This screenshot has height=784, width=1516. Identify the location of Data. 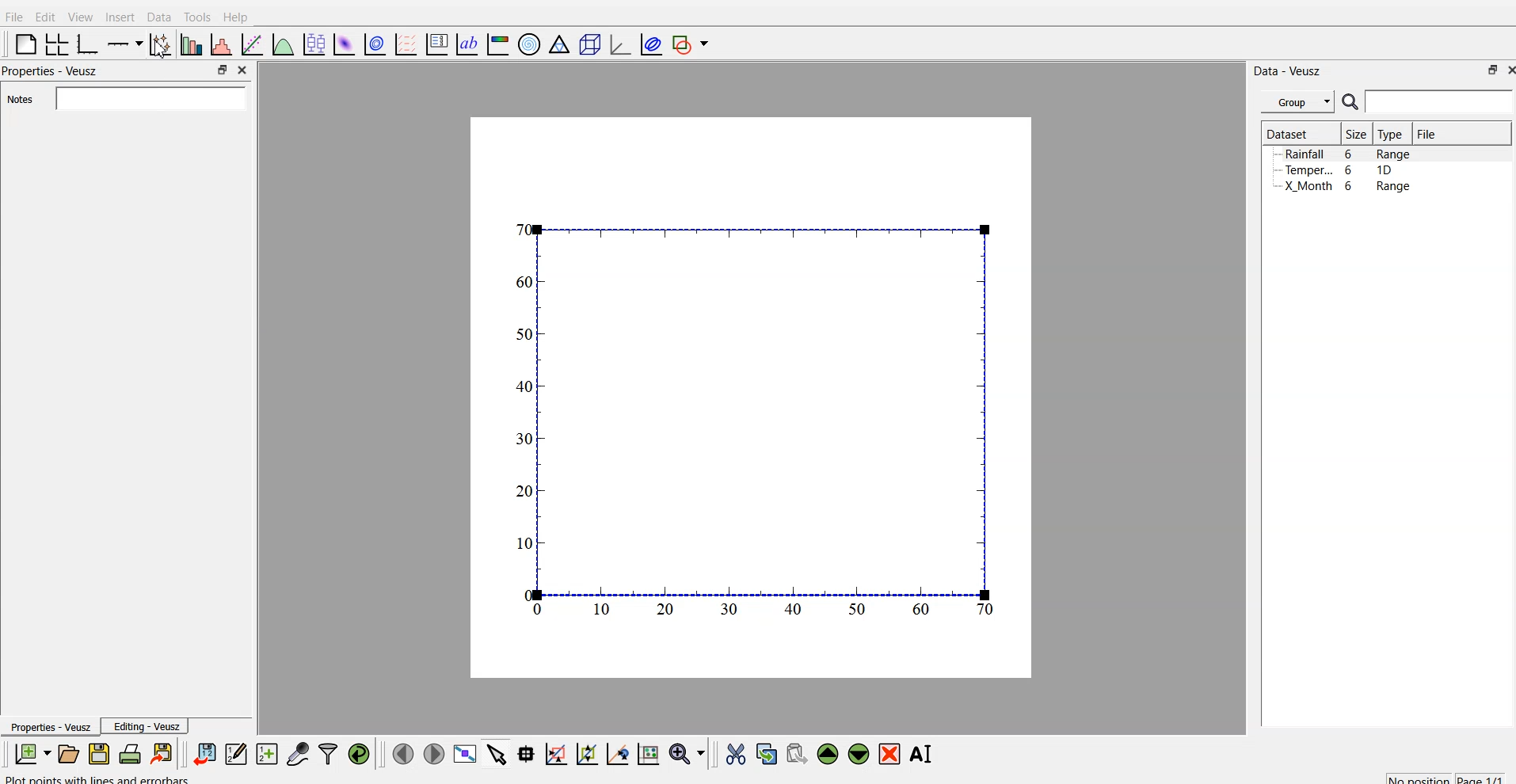
(156, 18).